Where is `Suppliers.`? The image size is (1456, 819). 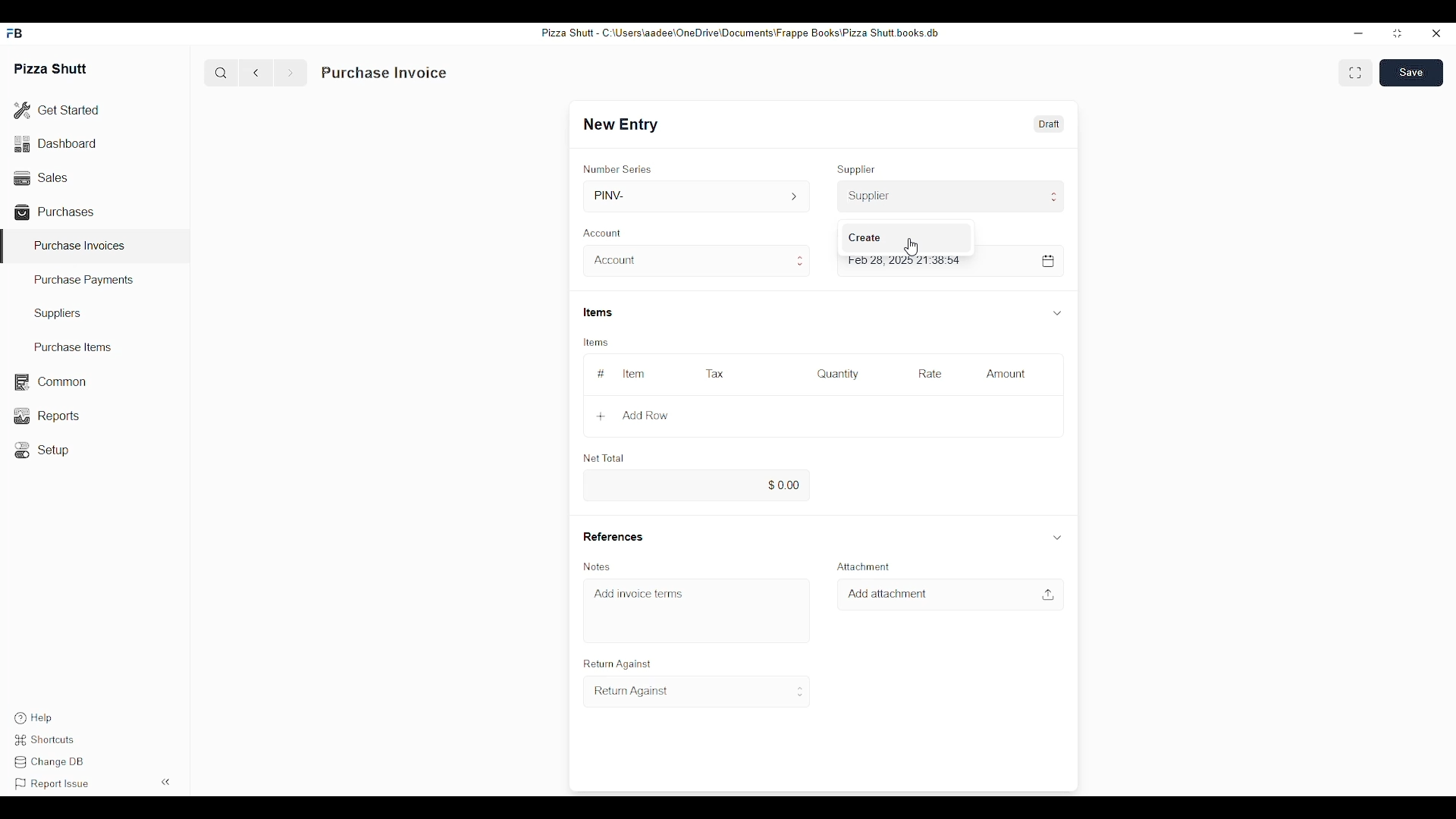 Suppliers. is located at coordinates (61, 313).